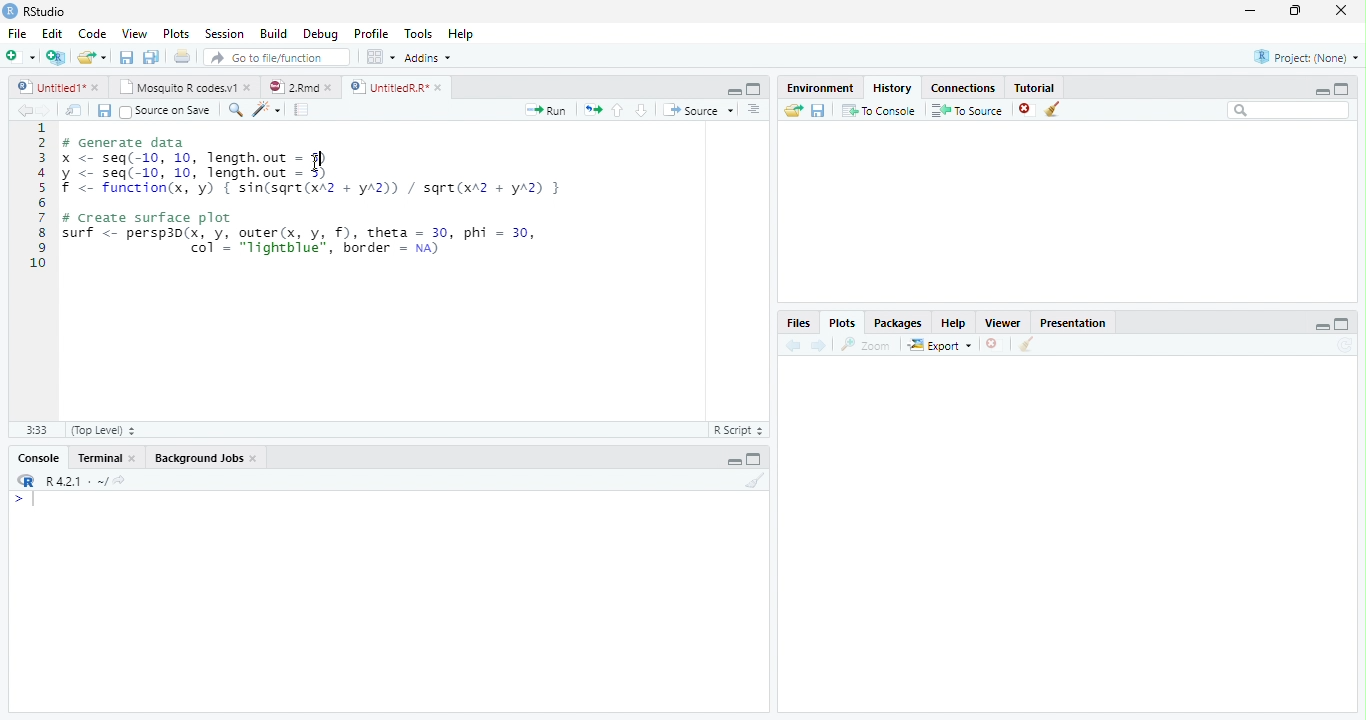 The width and height of the screenshot is (1366, 720). Describe the element at coordinates (1073, 322) in the screenshot. I see `Presentation` at that location.